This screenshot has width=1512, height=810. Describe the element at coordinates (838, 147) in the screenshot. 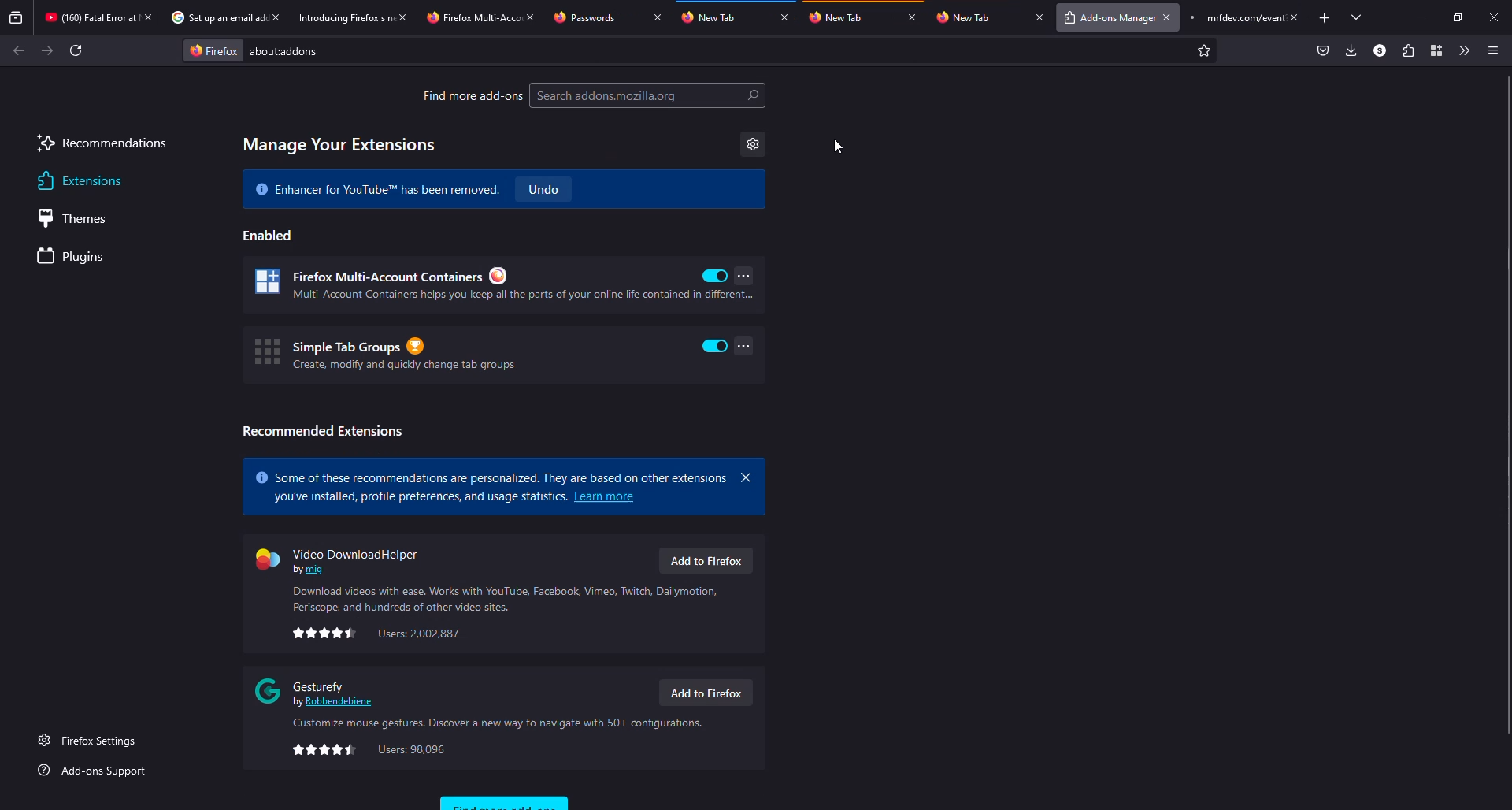

I see `Cursor` at that location.